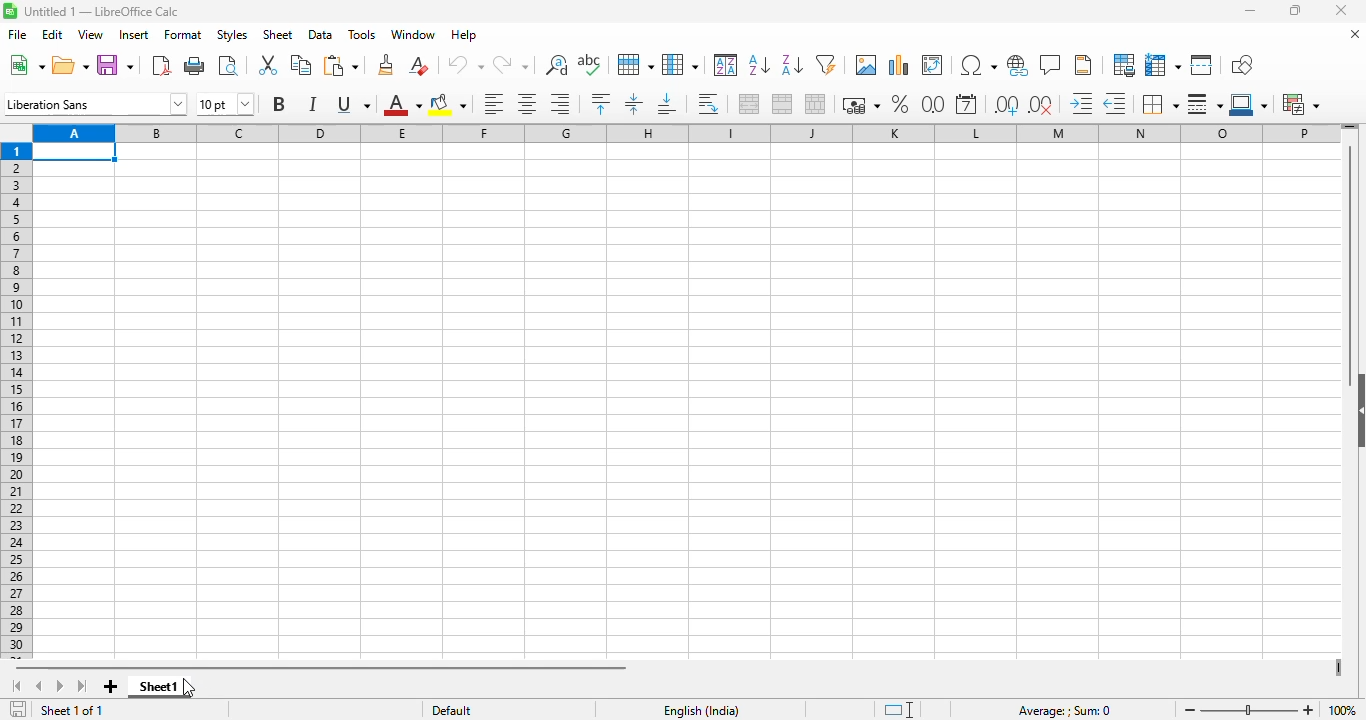  Describe the element at coordinates (511, 65) in the screenshot. I see `redo` at that location.